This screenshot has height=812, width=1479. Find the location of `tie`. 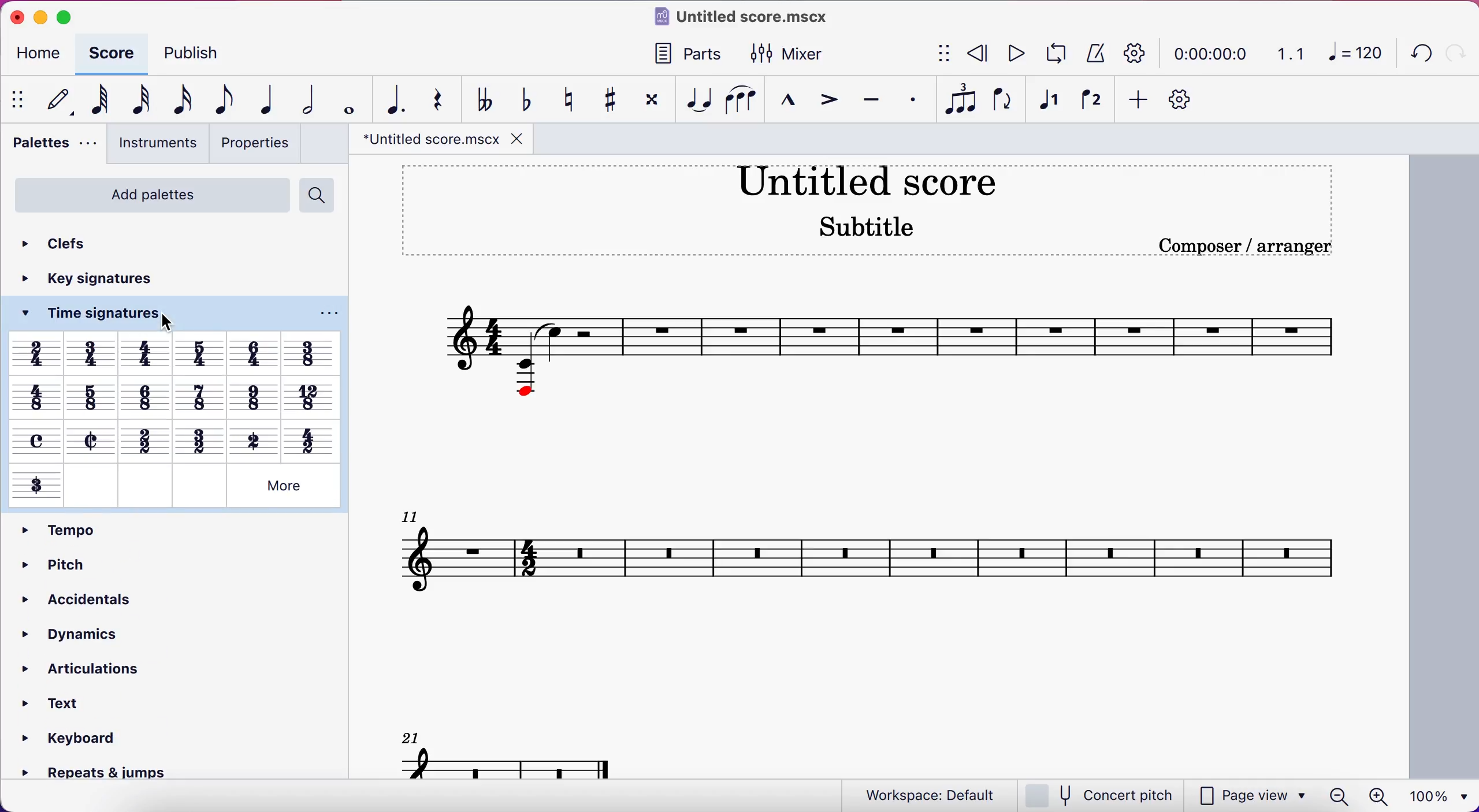

tie is located at coordinates (693, 100).